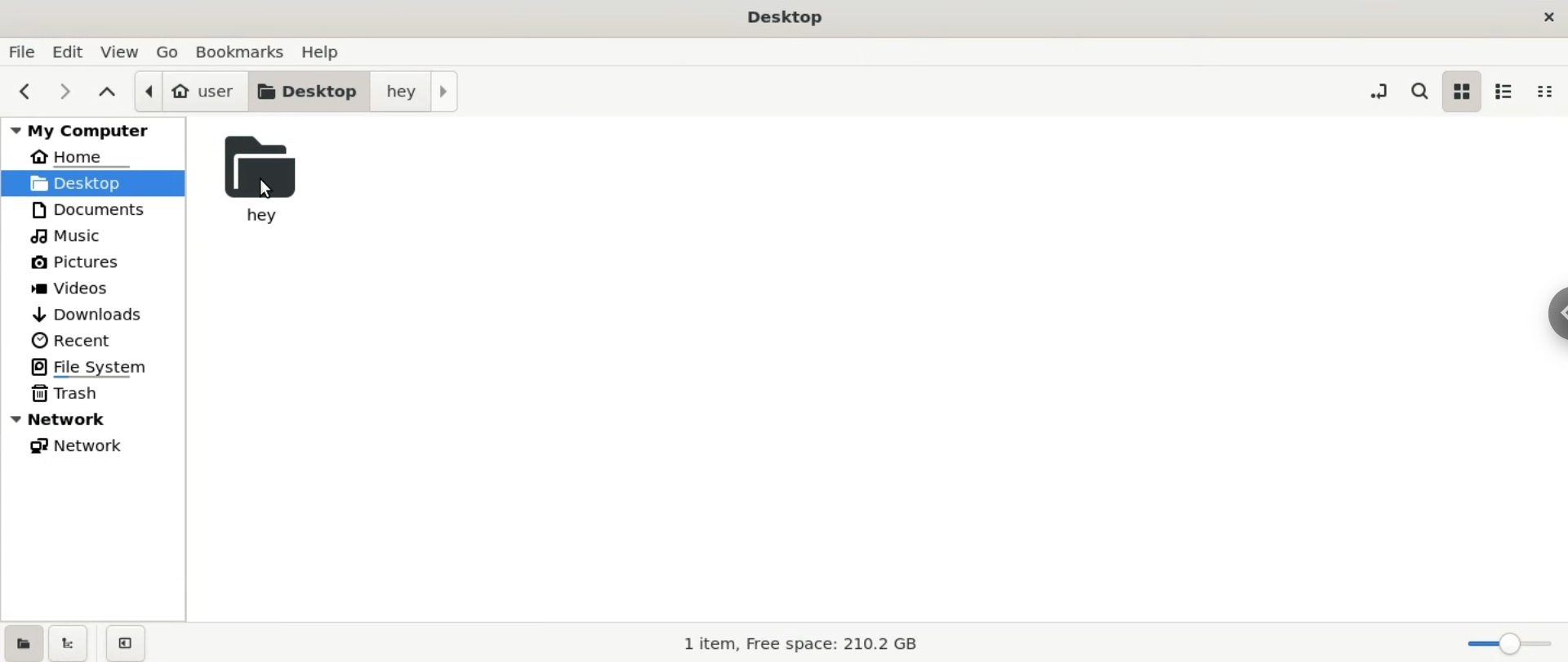  Describe the element at coordinates (275, 190) in the screenshot. I see `cursor` at that location.